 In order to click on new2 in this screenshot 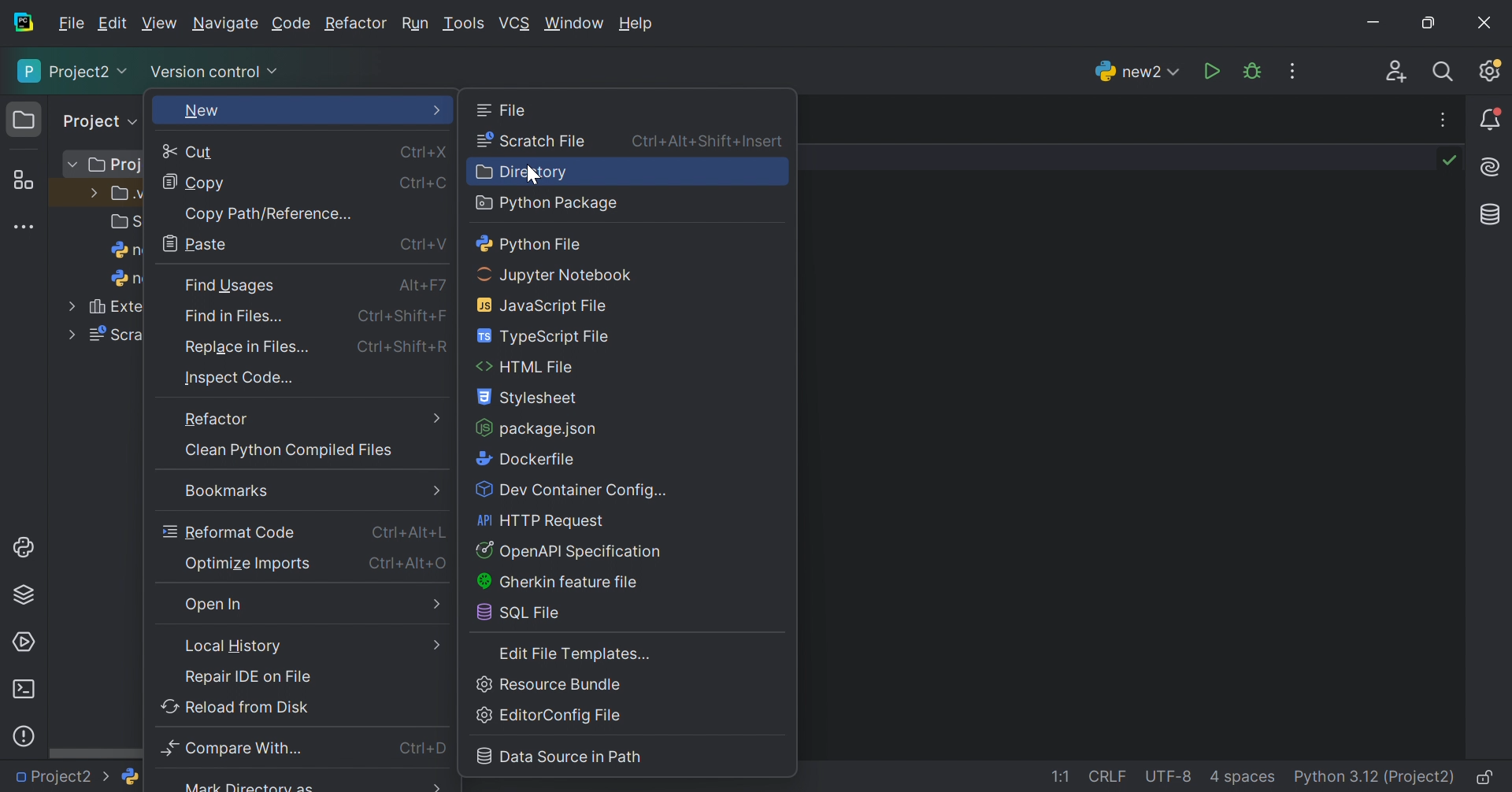, I will do `click(1140, 70)`.